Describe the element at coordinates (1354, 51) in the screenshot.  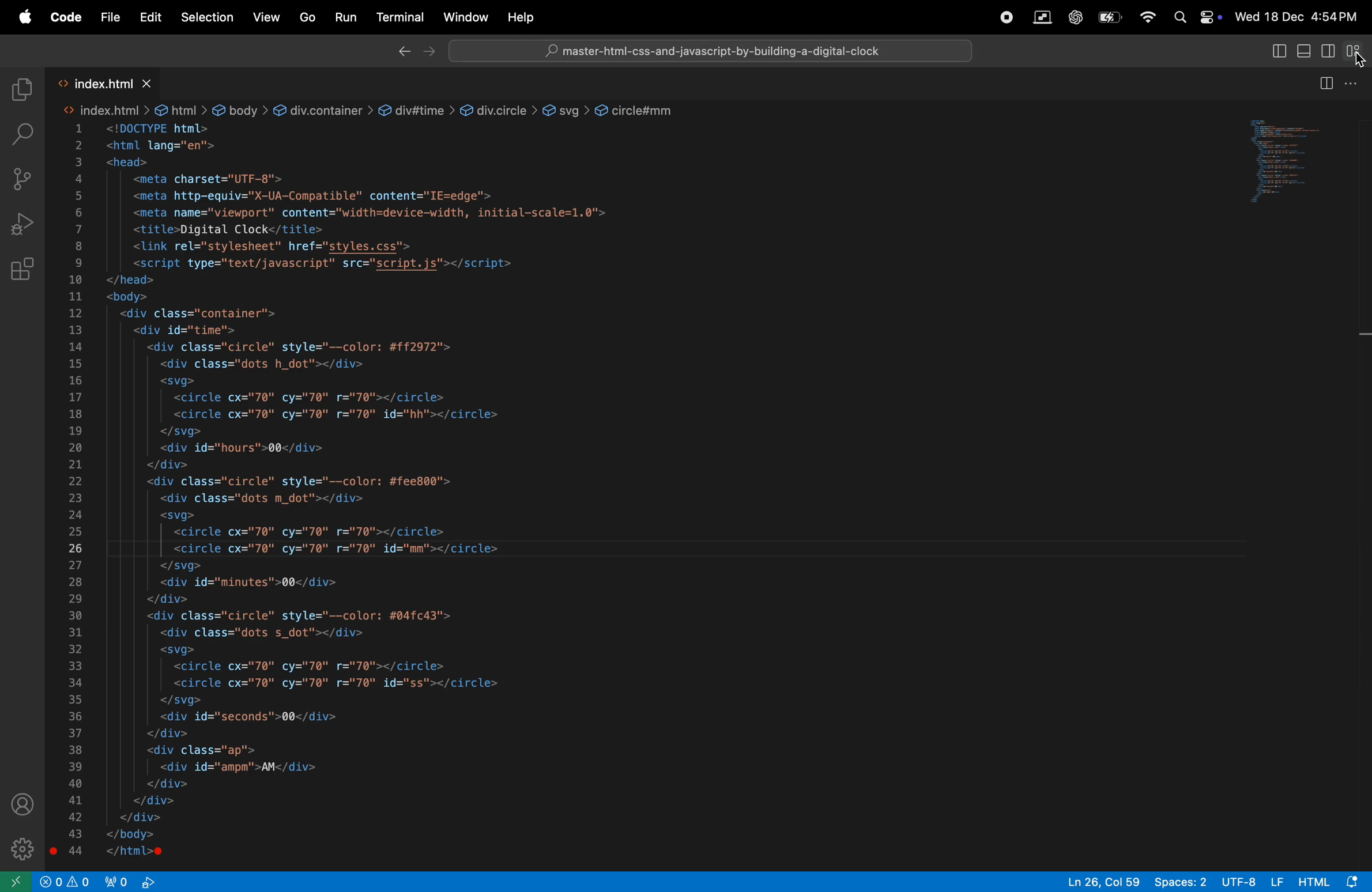
I see `customize layout` at that location.